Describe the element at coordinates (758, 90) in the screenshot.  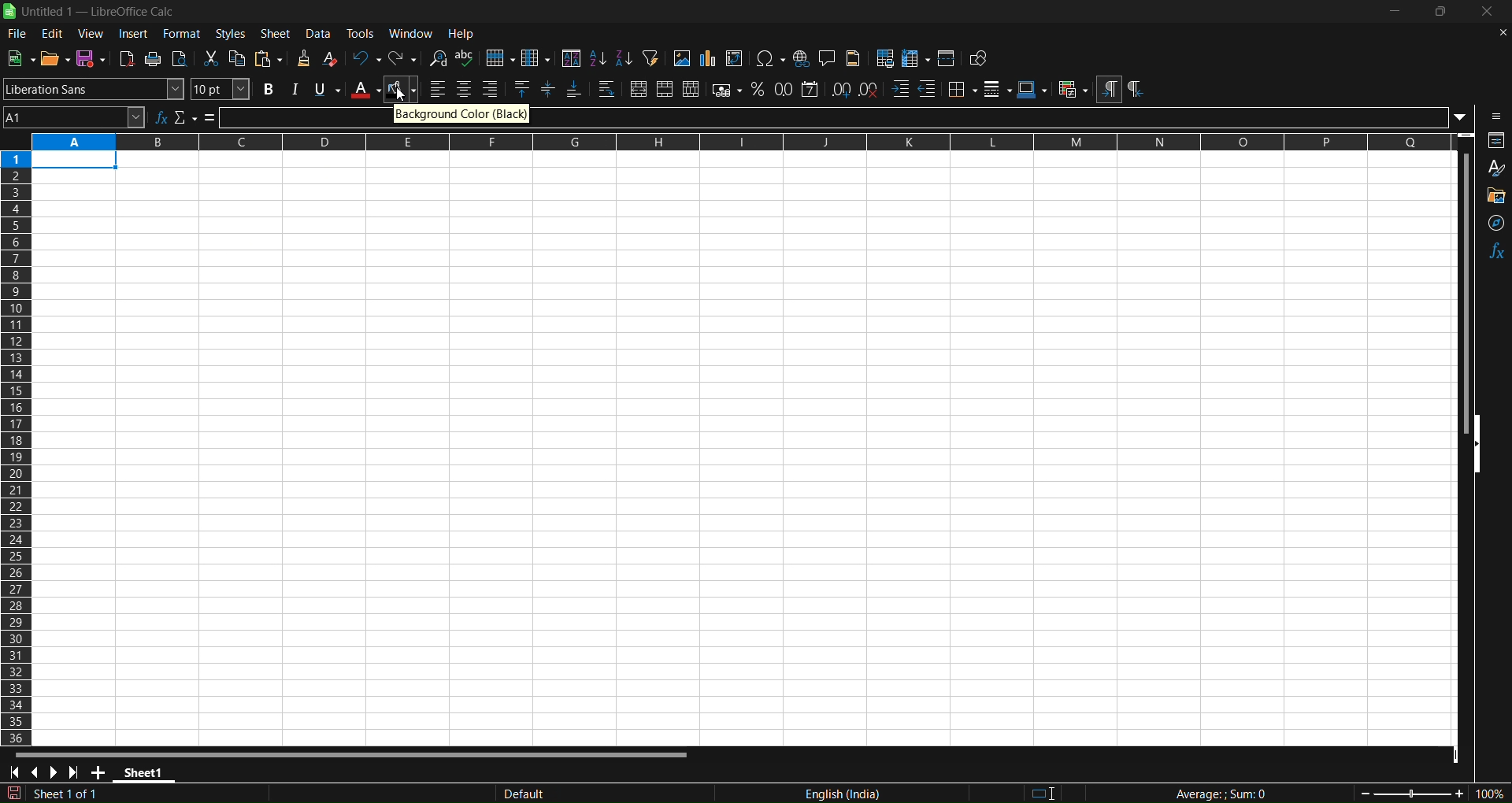
I see `format as percentage` at that location.